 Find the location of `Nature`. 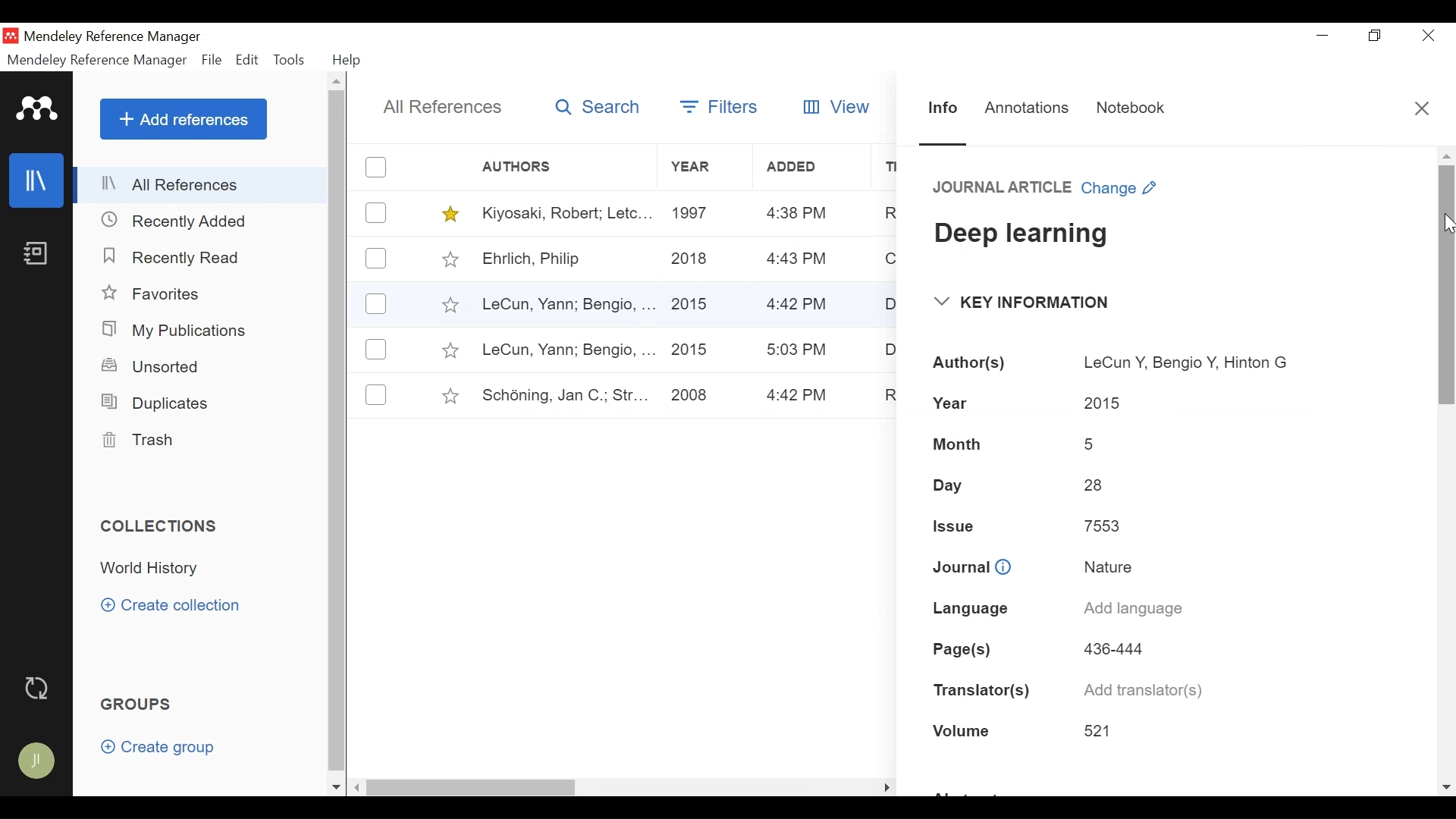

Nature is located at coordinates (1106, 564).